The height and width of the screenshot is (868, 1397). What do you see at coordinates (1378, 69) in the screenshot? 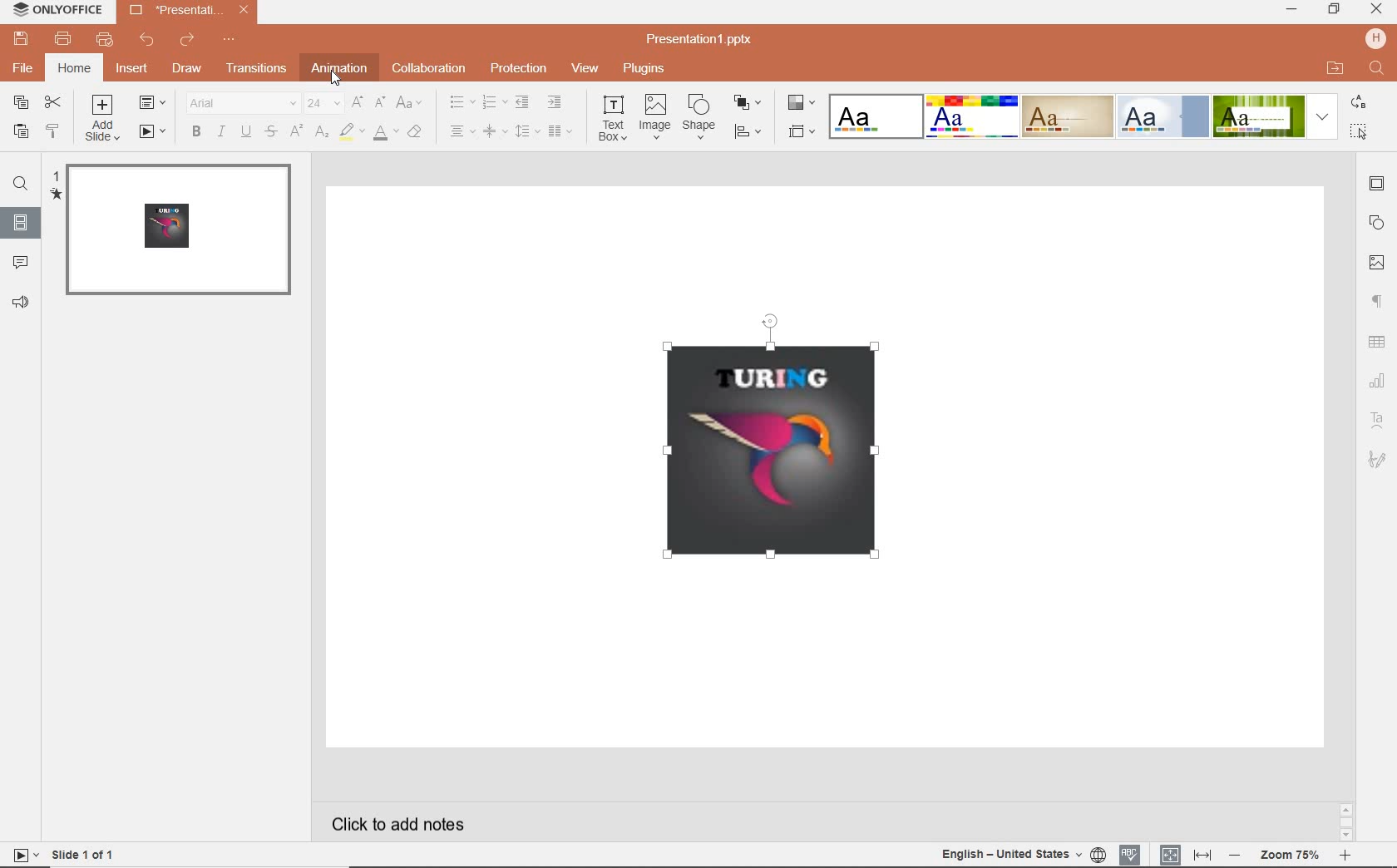
I see `find` at bounding box center [1378, 69].